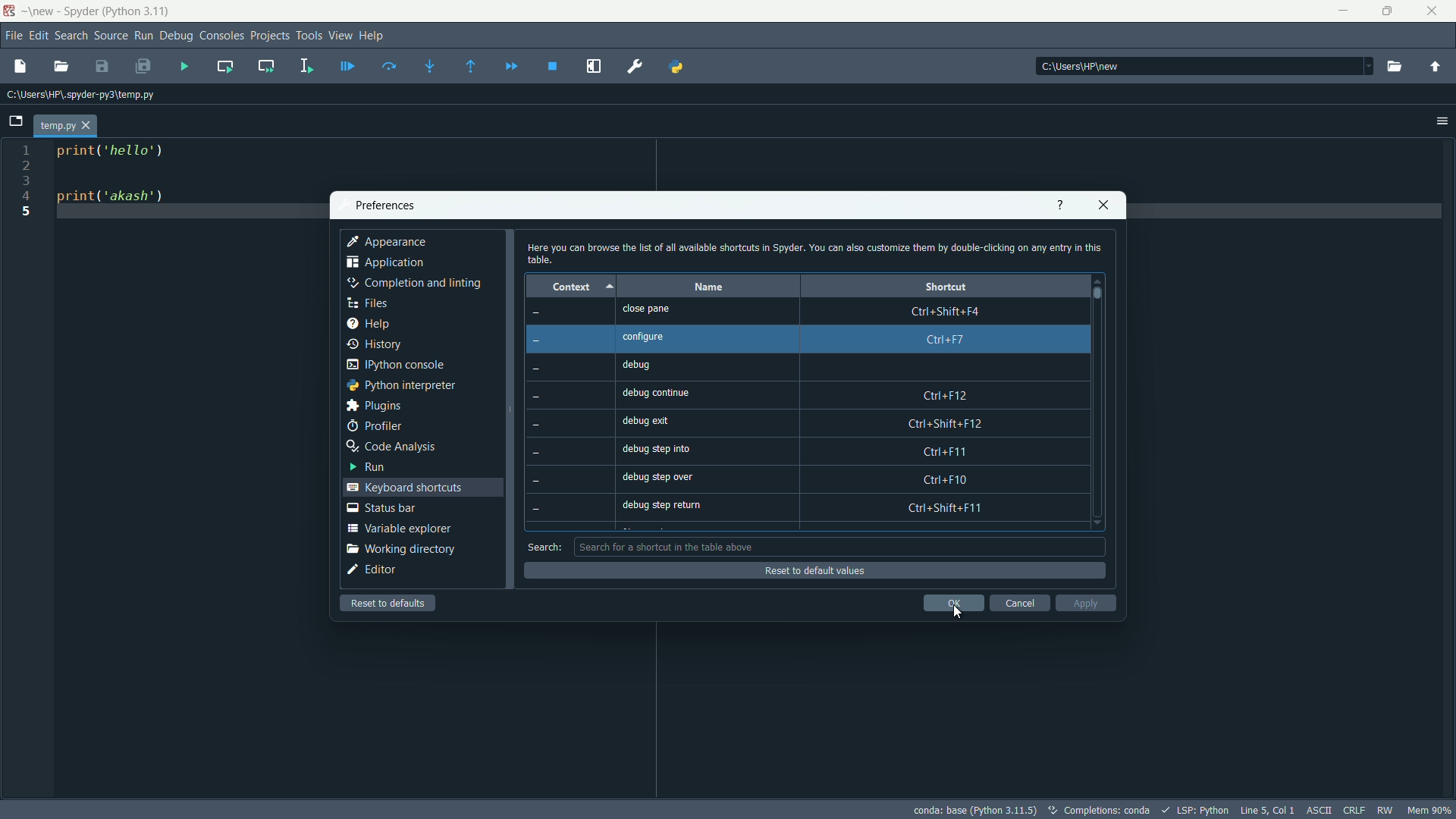  Describe the element at coordinates (222, 36) in the screenshot. I see `consoles menu` at that location.